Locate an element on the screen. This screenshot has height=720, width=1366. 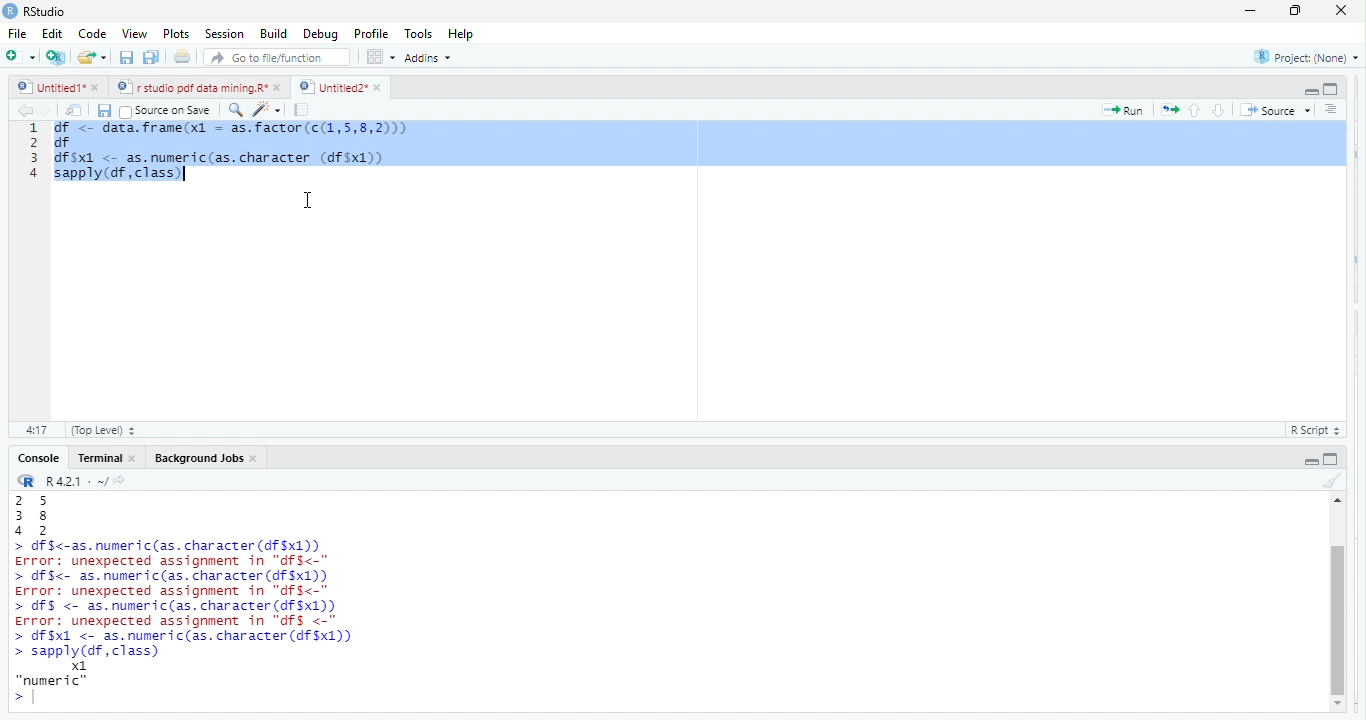
hide r script is located at coordinates (1312, 462).